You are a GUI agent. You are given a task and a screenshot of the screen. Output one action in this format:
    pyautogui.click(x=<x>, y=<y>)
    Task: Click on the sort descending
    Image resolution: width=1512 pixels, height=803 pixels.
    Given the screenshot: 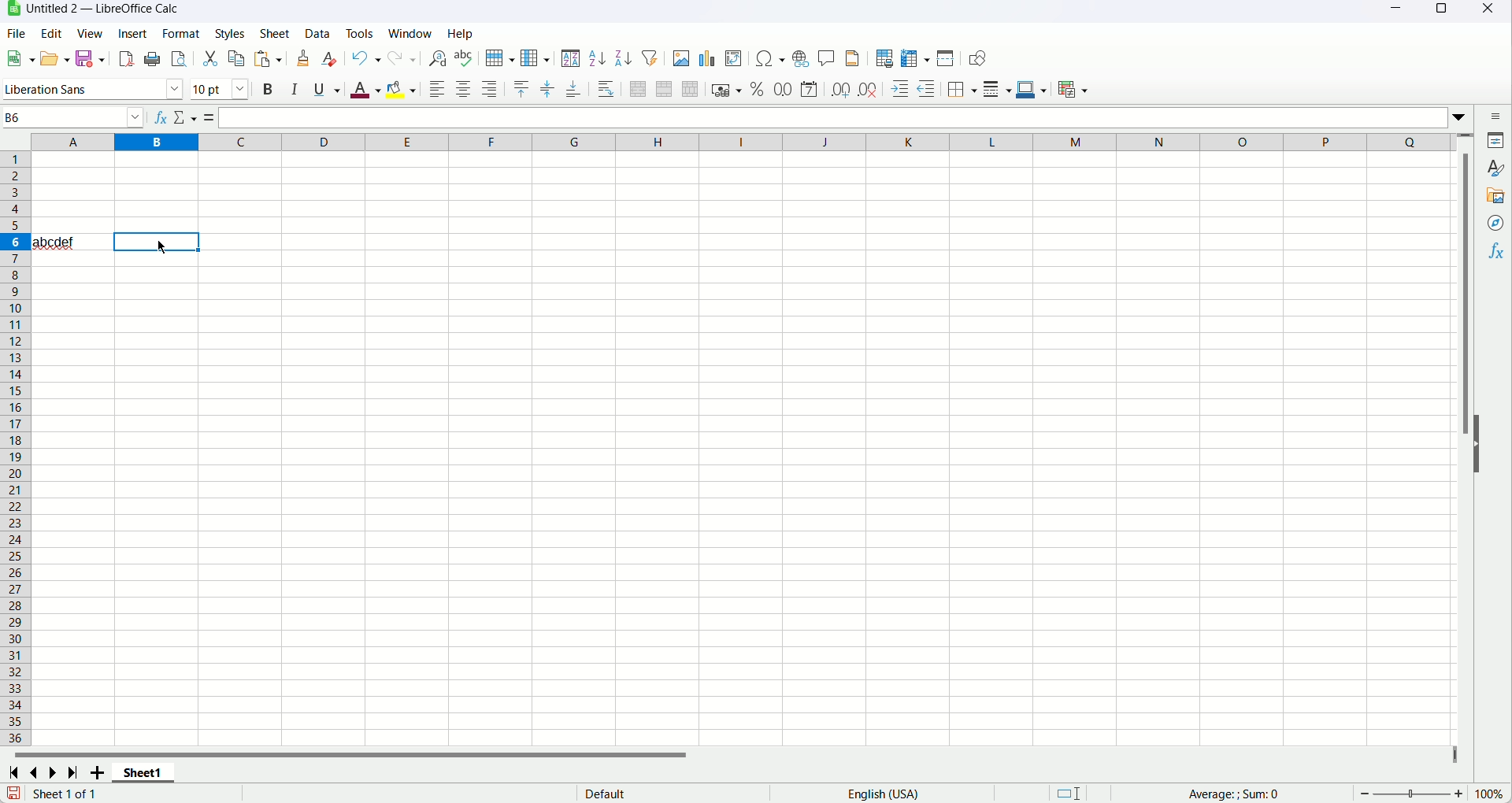 What is the action you would take?
    pyautogui.click(x=625, y=57)
    